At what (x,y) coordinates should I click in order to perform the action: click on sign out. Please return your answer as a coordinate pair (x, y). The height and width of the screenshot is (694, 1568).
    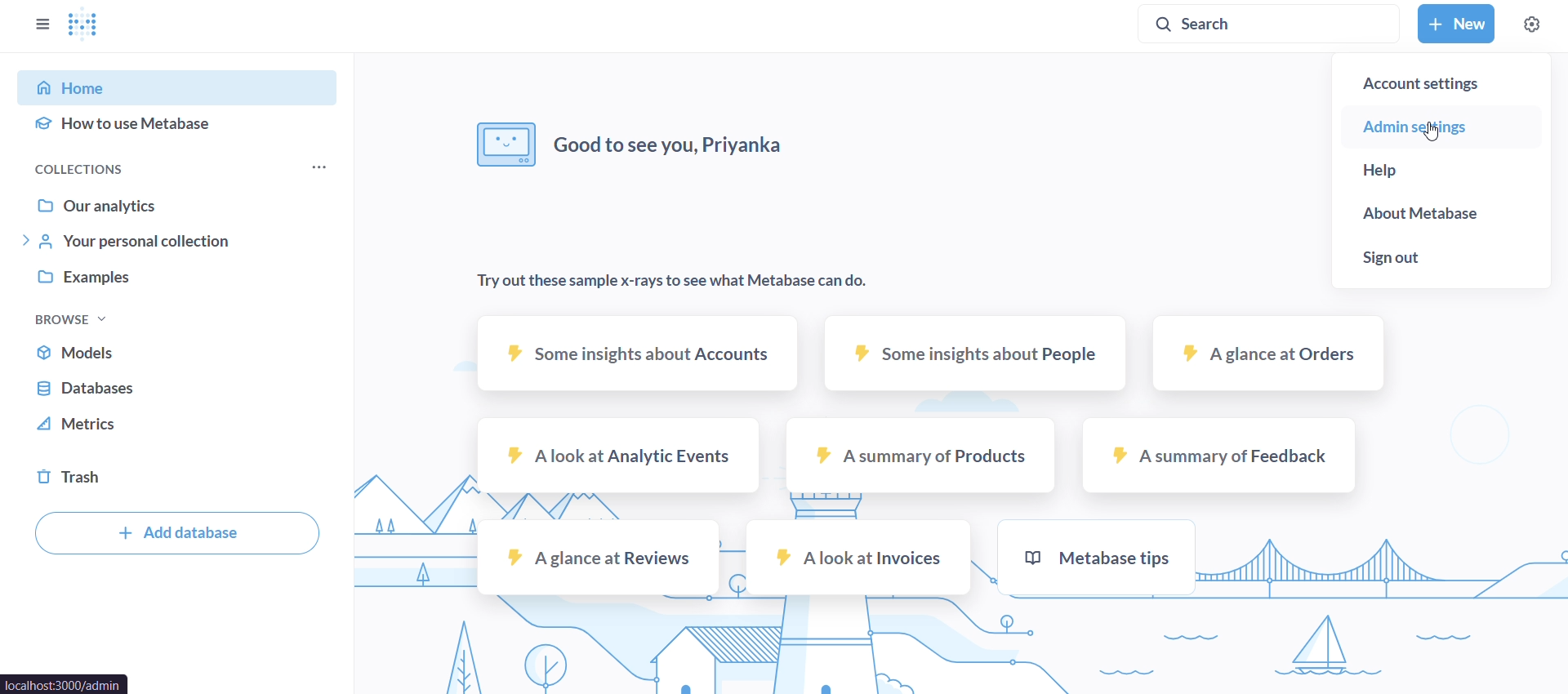
    Looking at the image, I should click on (1441, 261).